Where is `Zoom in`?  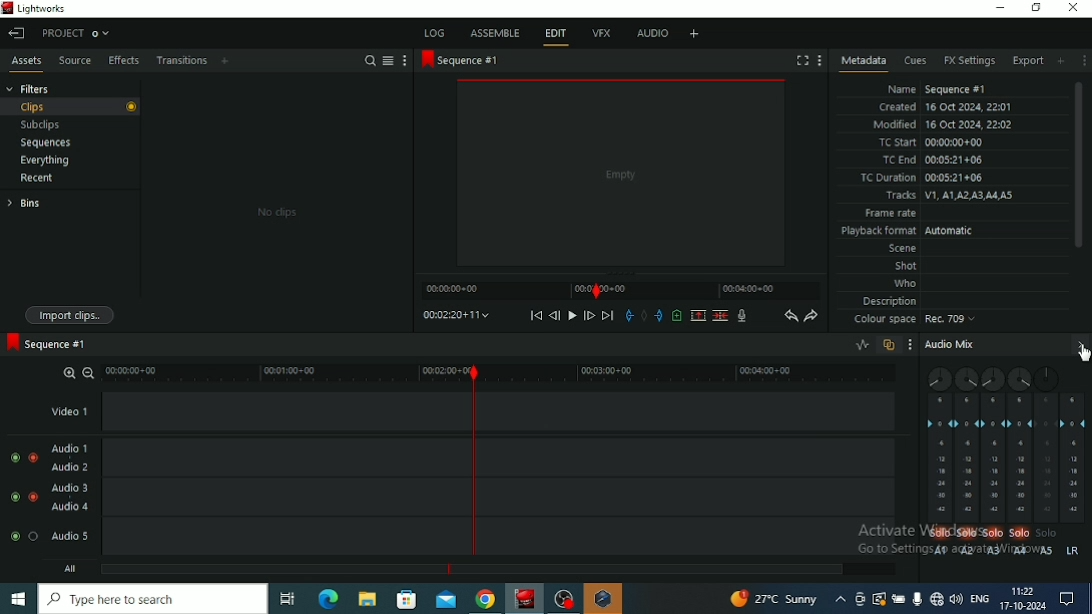 Zoom in is located at coordinates (68, 372).